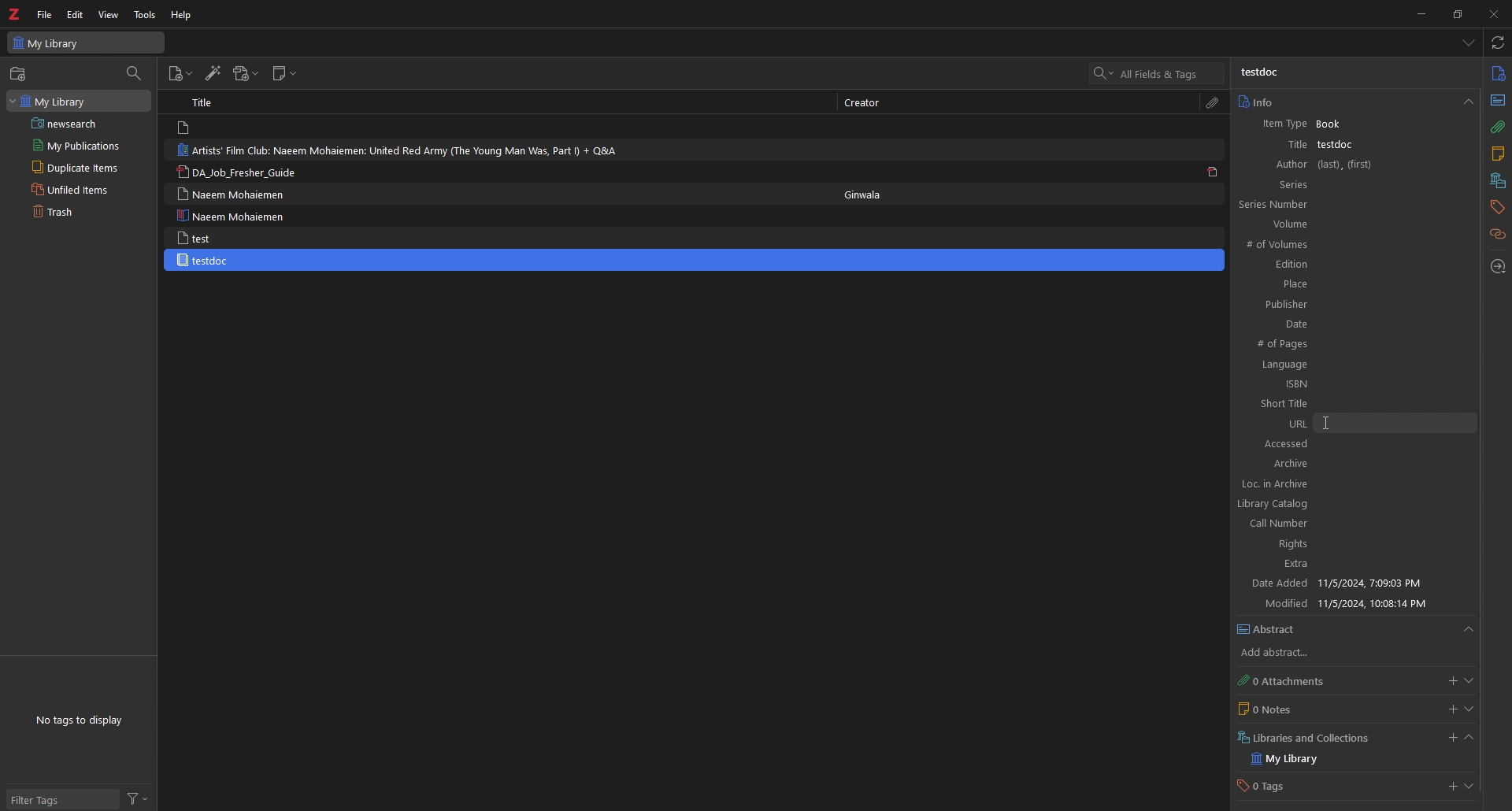  Describe the element at coordinates (1323, 245) in the screenshot. I see `#of Volumes` at that location.